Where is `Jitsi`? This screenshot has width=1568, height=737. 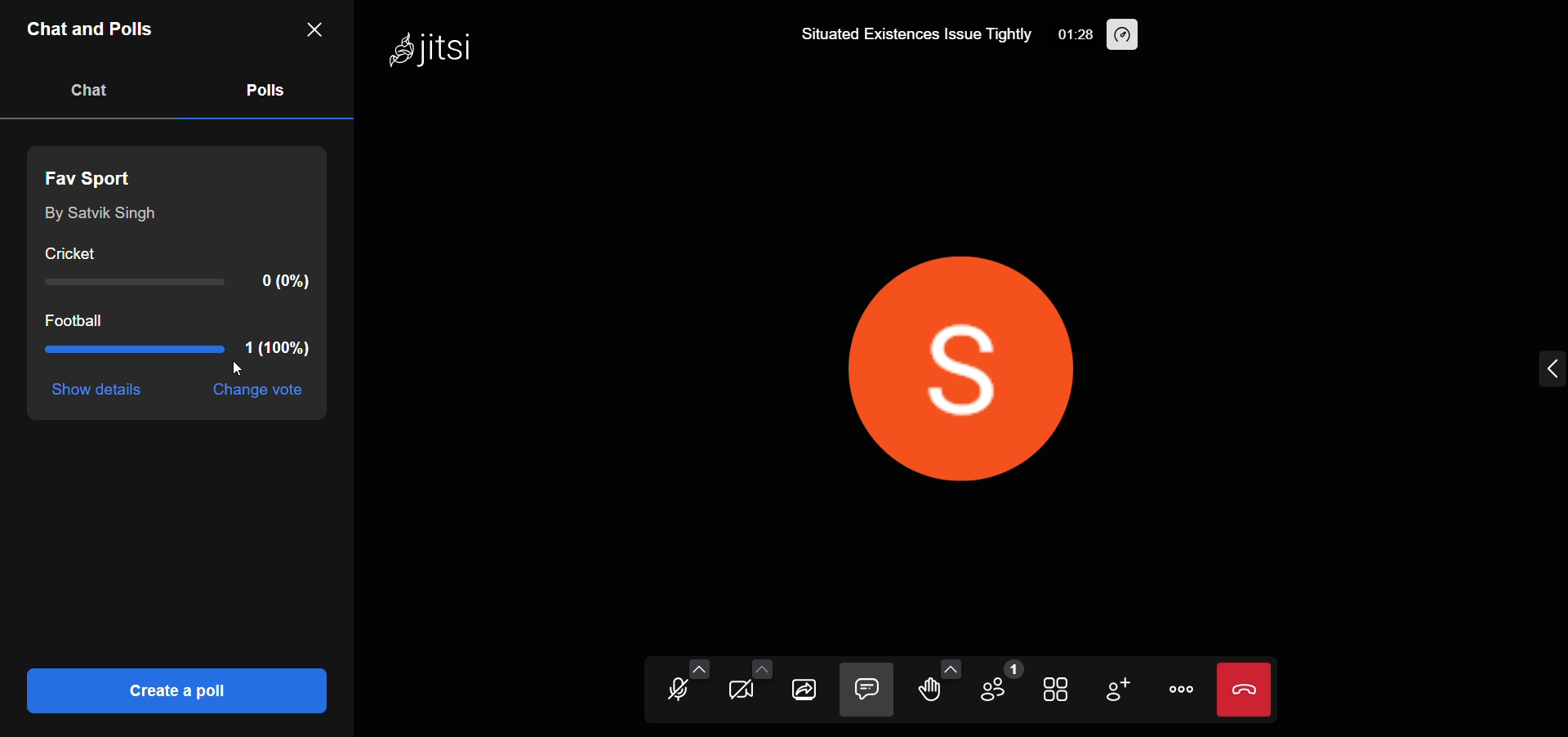
Jitsi is located at coordinates (434, 51).